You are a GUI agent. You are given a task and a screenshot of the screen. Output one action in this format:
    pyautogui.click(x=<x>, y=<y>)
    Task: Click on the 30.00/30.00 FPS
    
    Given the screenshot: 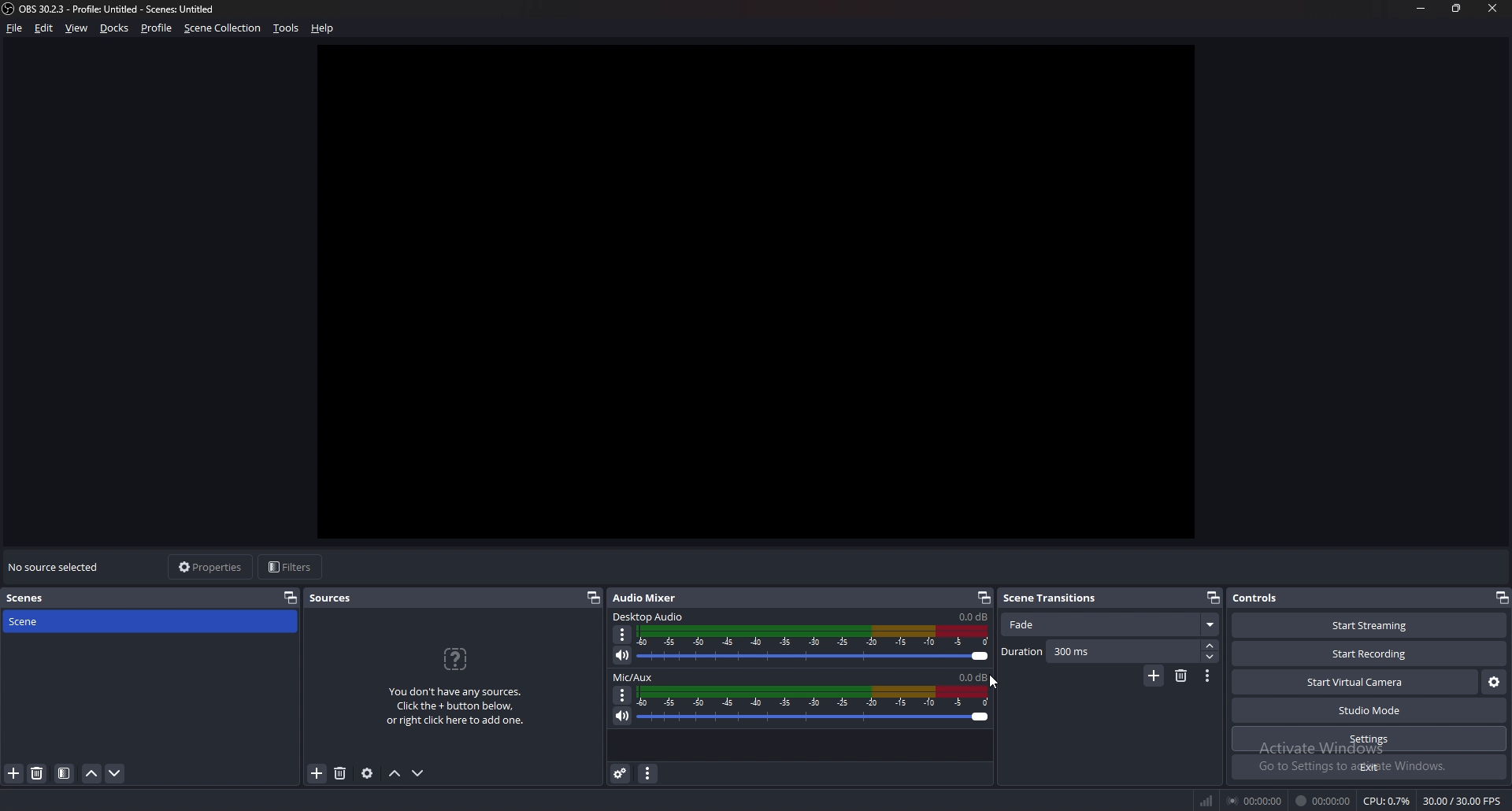 What is the action you would take?
    pyautogui.click(x=1462, y=802)
    